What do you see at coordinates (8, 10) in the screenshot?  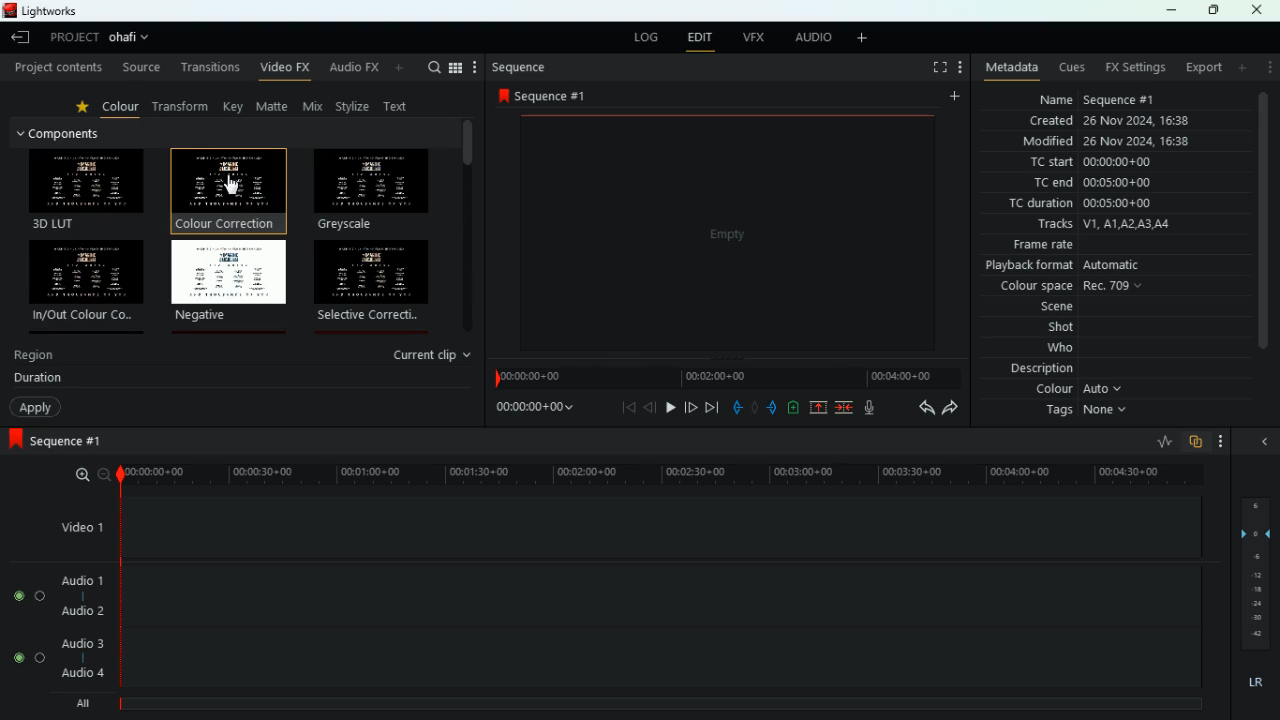 I see `lightworks logo` at bounding box center [8, 10].